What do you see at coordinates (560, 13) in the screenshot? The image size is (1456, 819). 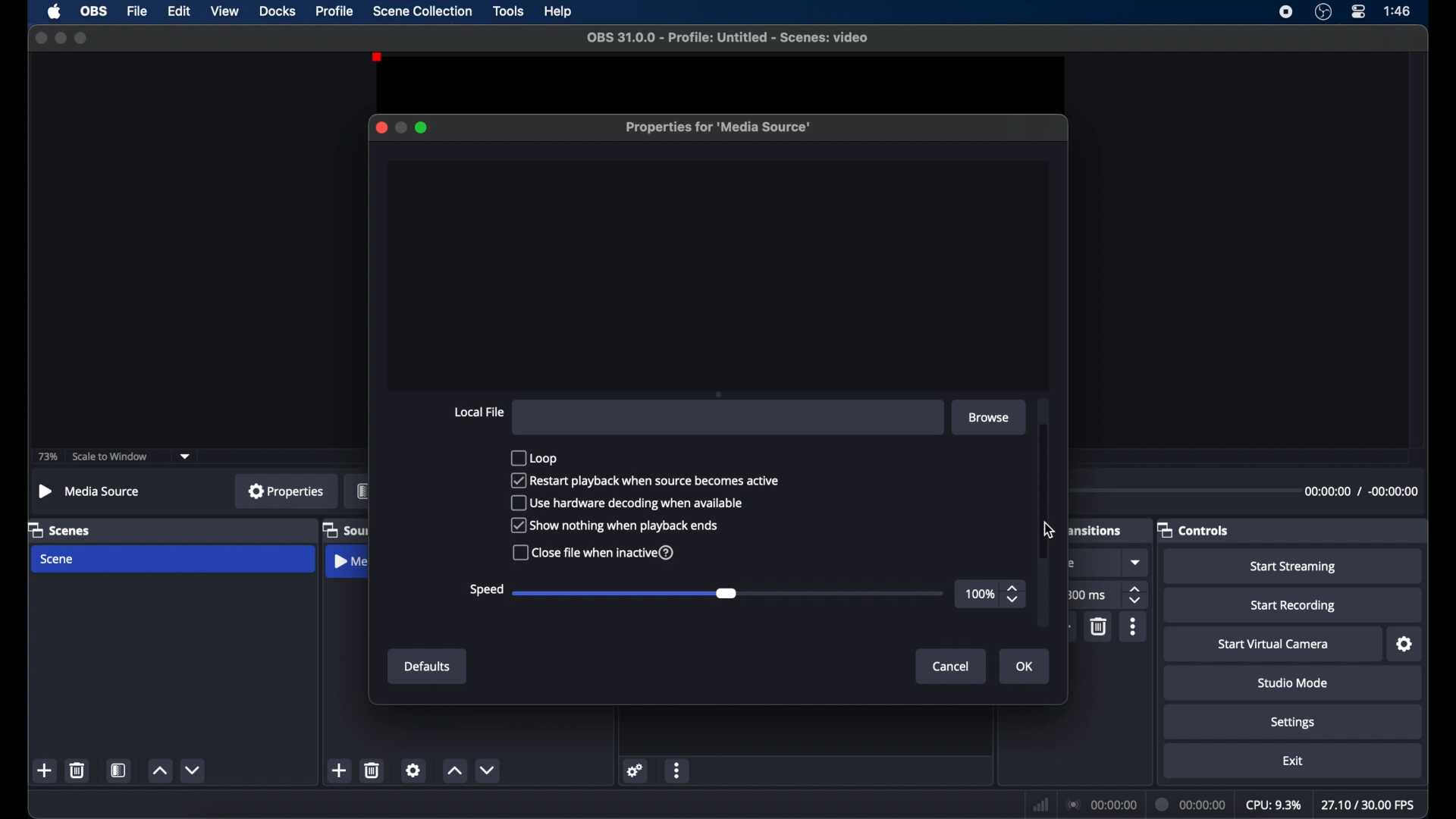 I see `help` at bounding box center [560, 13].